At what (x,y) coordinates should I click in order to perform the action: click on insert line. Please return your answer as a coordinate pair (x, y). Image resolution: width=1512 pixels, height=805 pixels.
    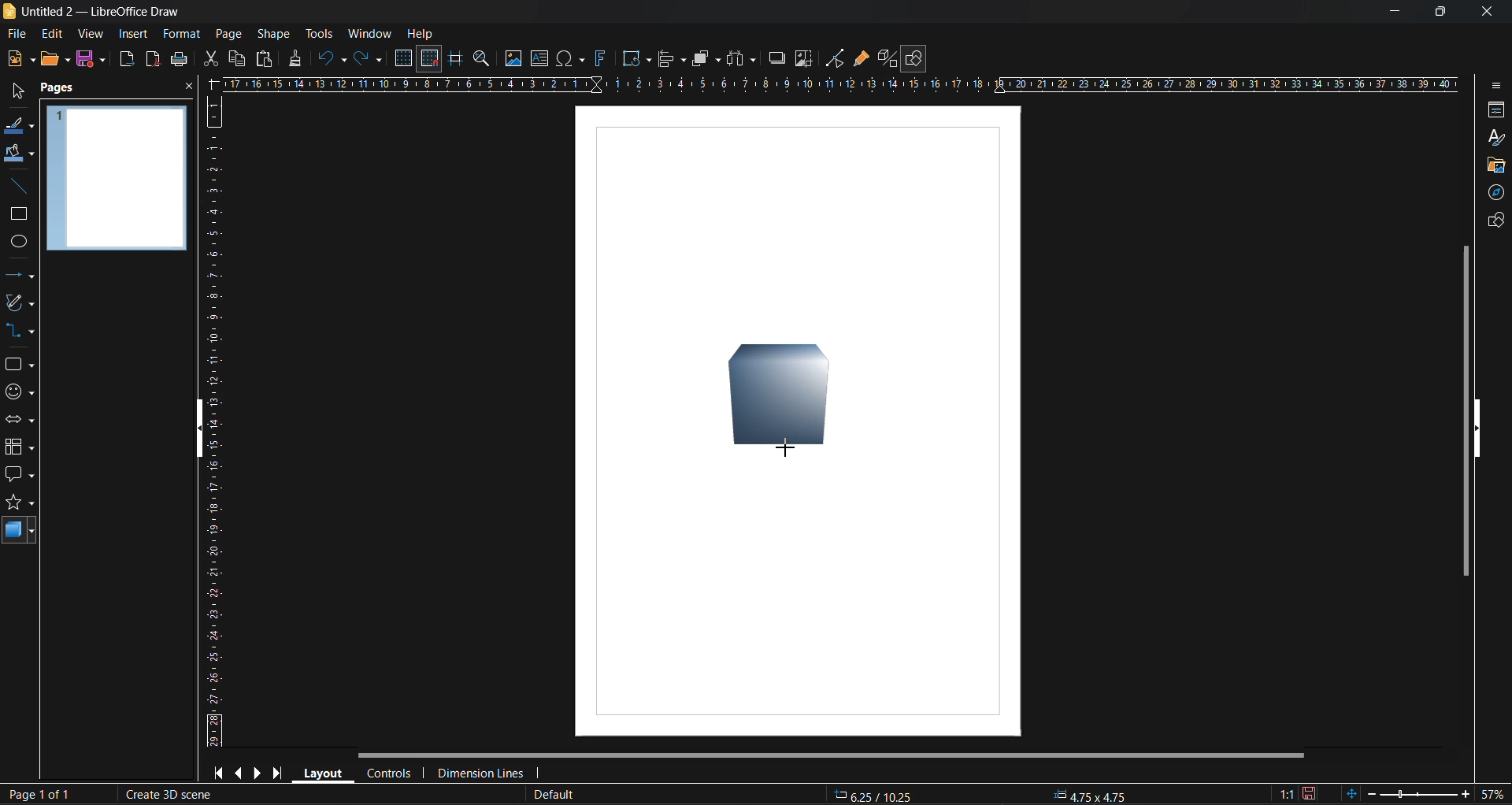
    Looking at the image, I should click on (18, 186).